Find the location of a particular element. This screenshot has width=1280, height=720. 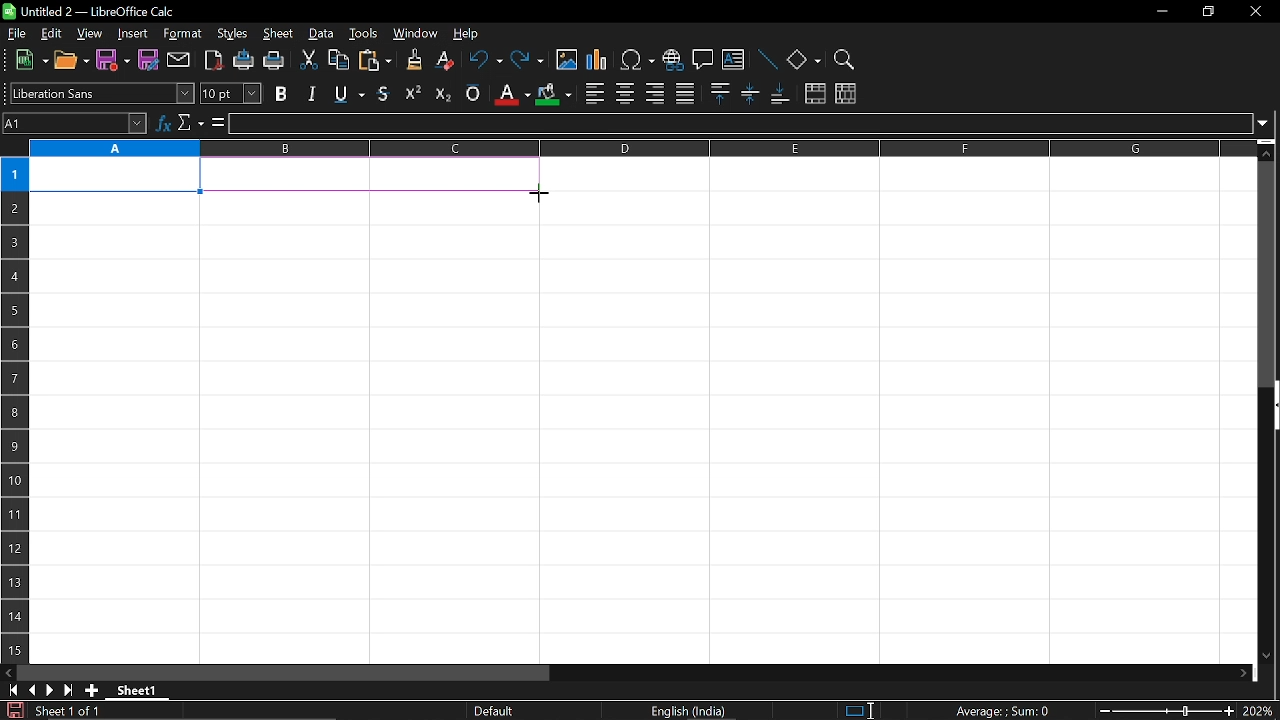

print directly is located at coordinates (242, 61).